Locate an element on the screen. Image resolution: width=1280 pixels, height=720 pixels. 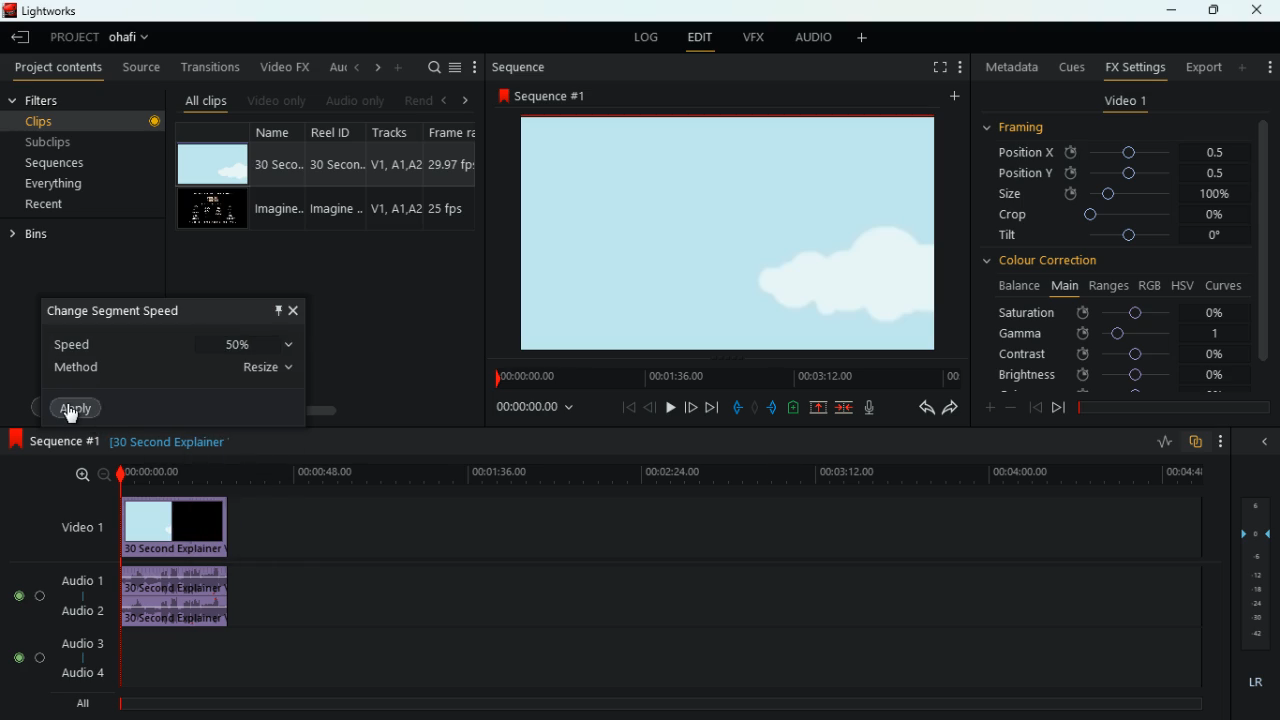
pull is located at coordinates (736, 406).